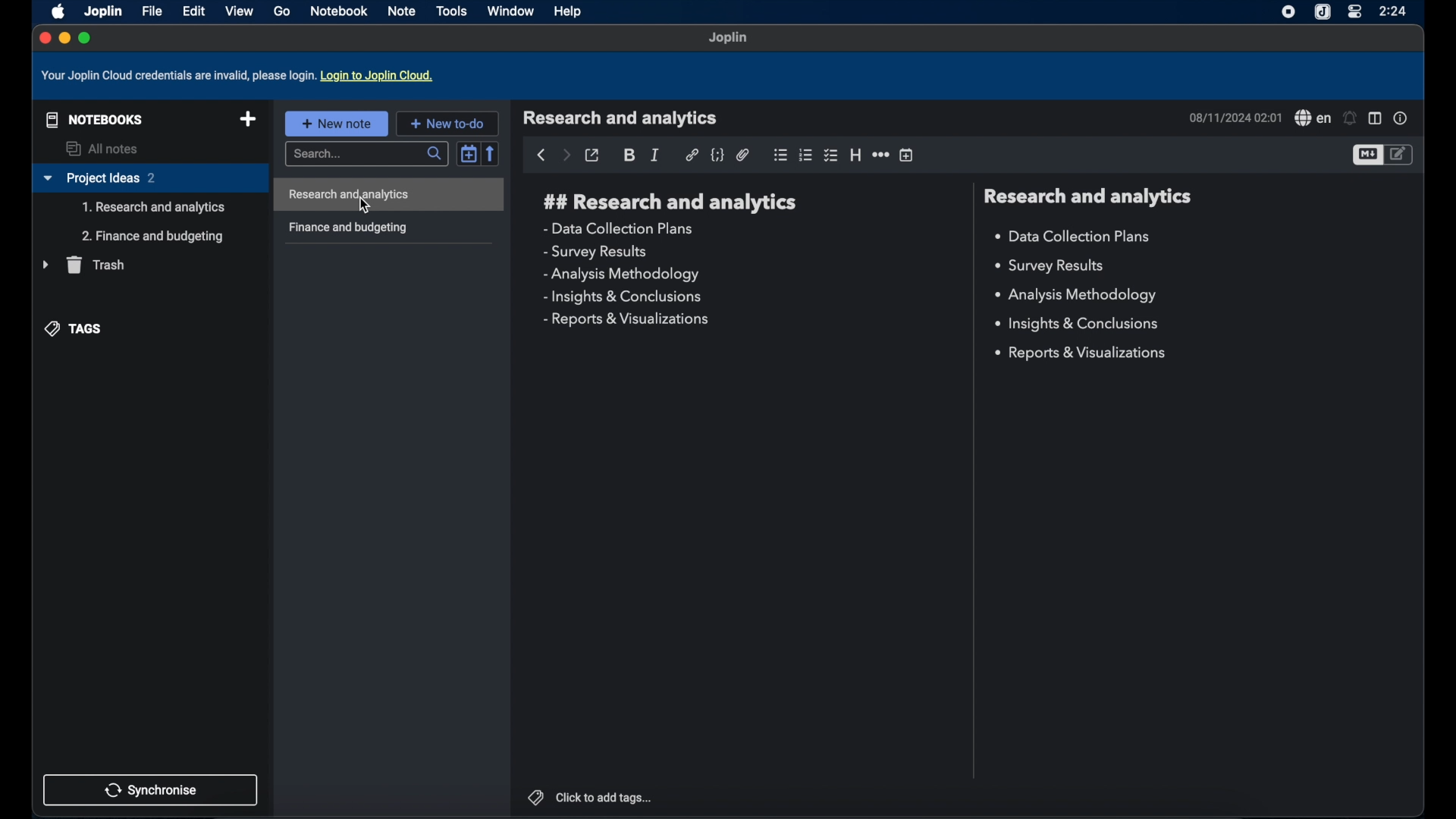  Describe the element at coordinates (447, 123) in the screenshot. I see `new to-do` at that location.